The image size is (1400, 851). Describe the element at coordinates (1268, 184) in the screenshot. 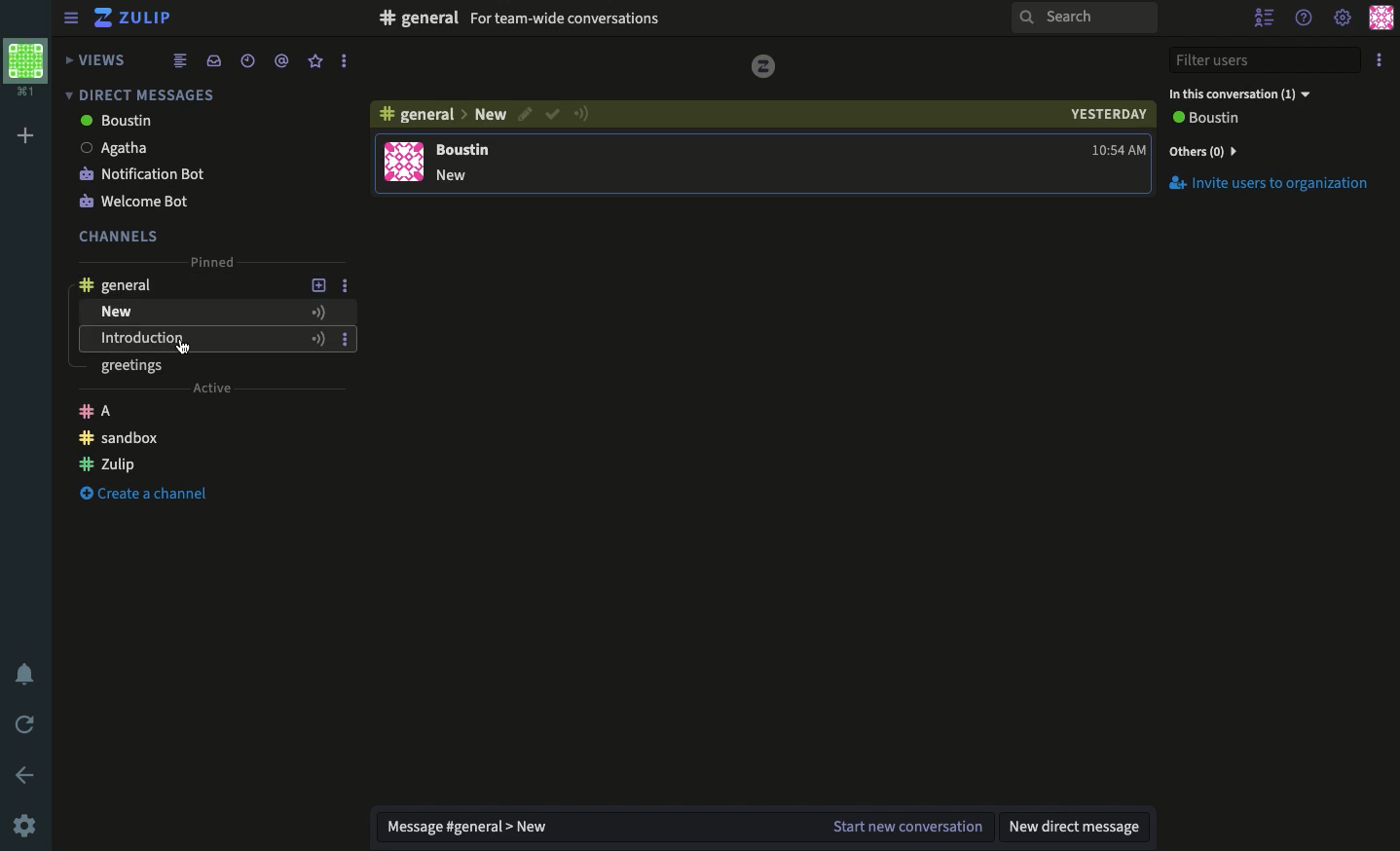

I see `Invite users` at that location.